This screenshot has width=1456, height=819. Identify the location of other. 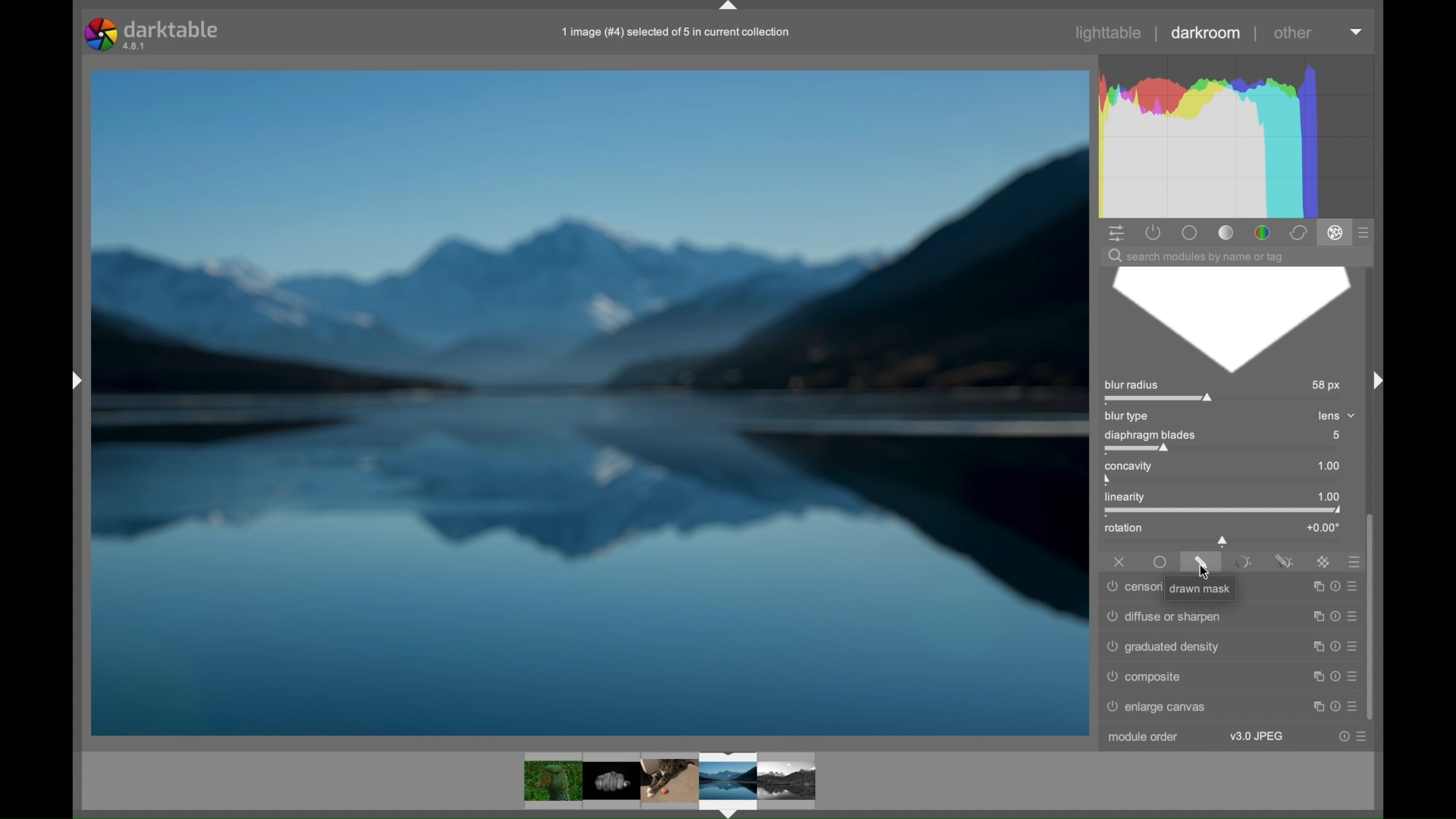
(1293, 33).